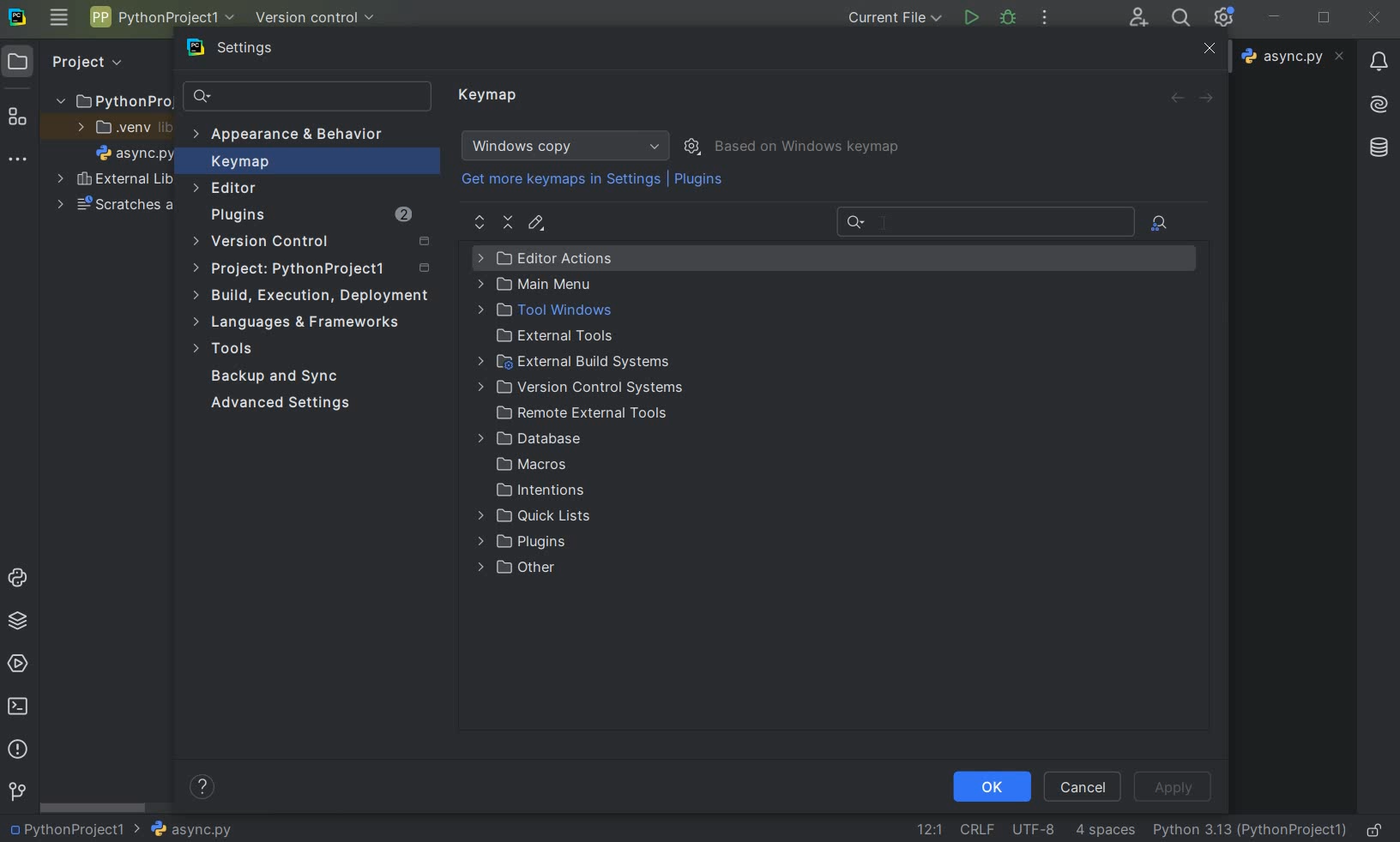  Describe the element at coordinates (64, 829) in the screenshot. I see `project name` at that location.